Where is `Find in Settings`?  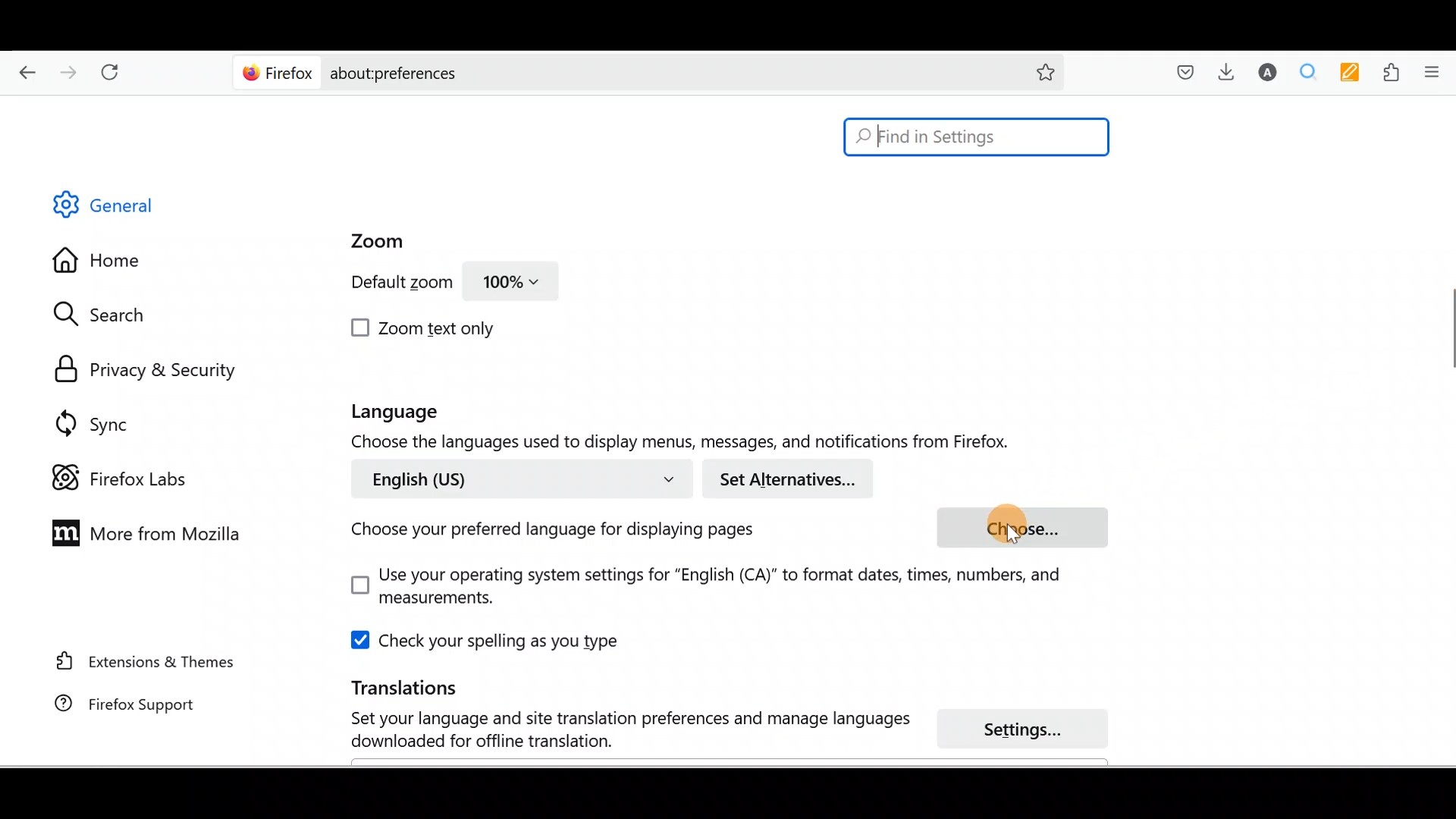
Find in Settings is located at coordinates (977, 136).